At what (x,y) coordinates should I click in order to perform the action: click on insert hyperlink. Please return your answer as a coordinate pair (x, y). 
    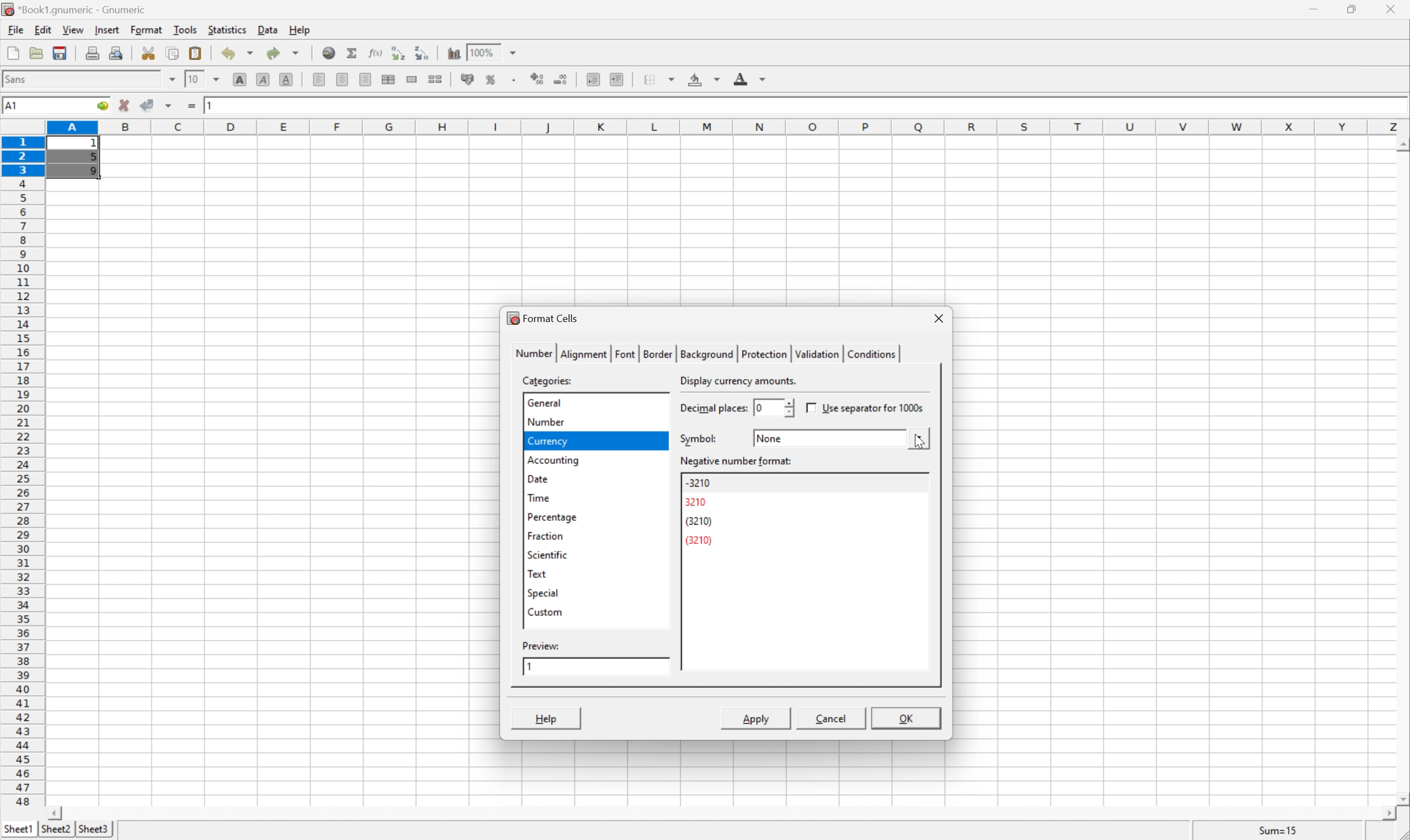
    Looking at the image, I should click on (330, 52).